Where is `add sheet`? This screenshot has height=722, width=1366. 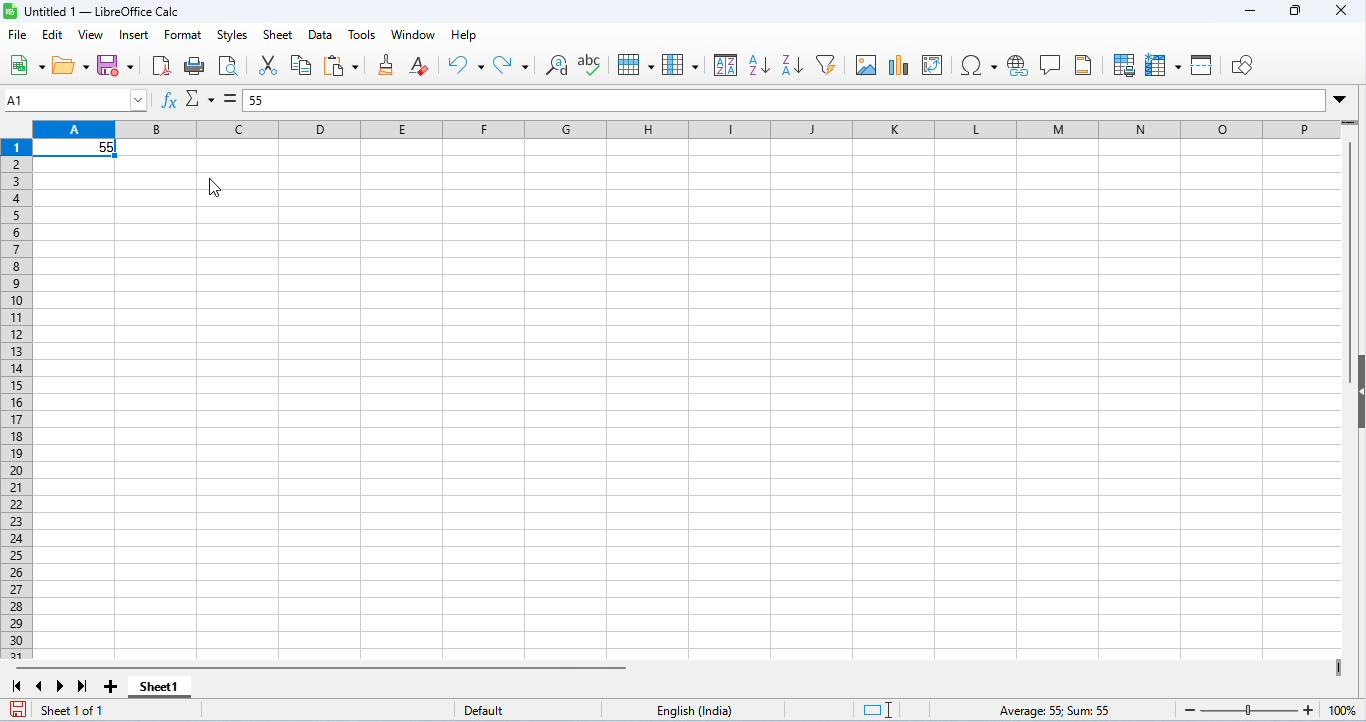
add sheet is located at coordinates (111, 685).